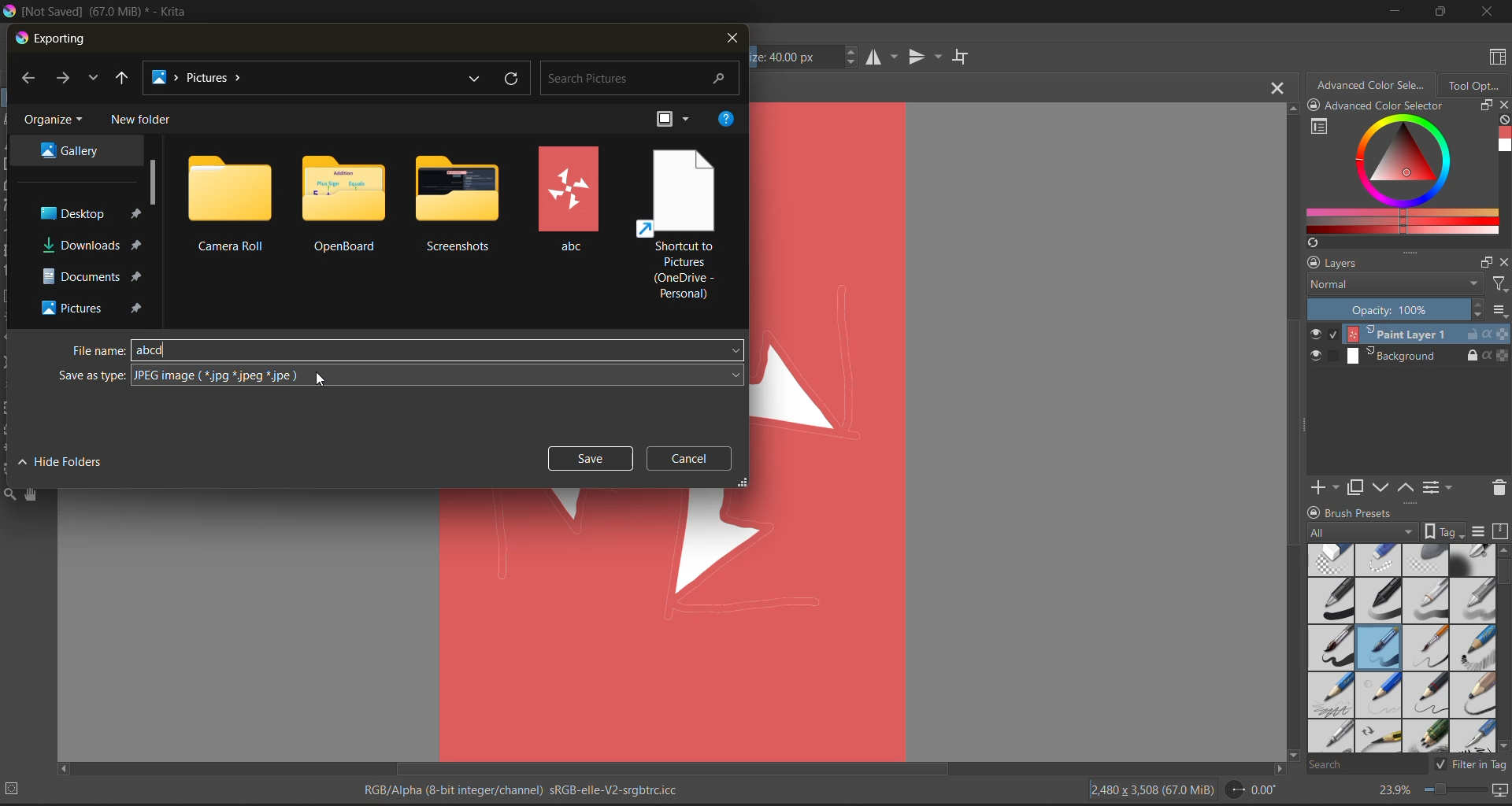 The image size is (1512, 806). I want to click on folders and files, so click(678, 224).